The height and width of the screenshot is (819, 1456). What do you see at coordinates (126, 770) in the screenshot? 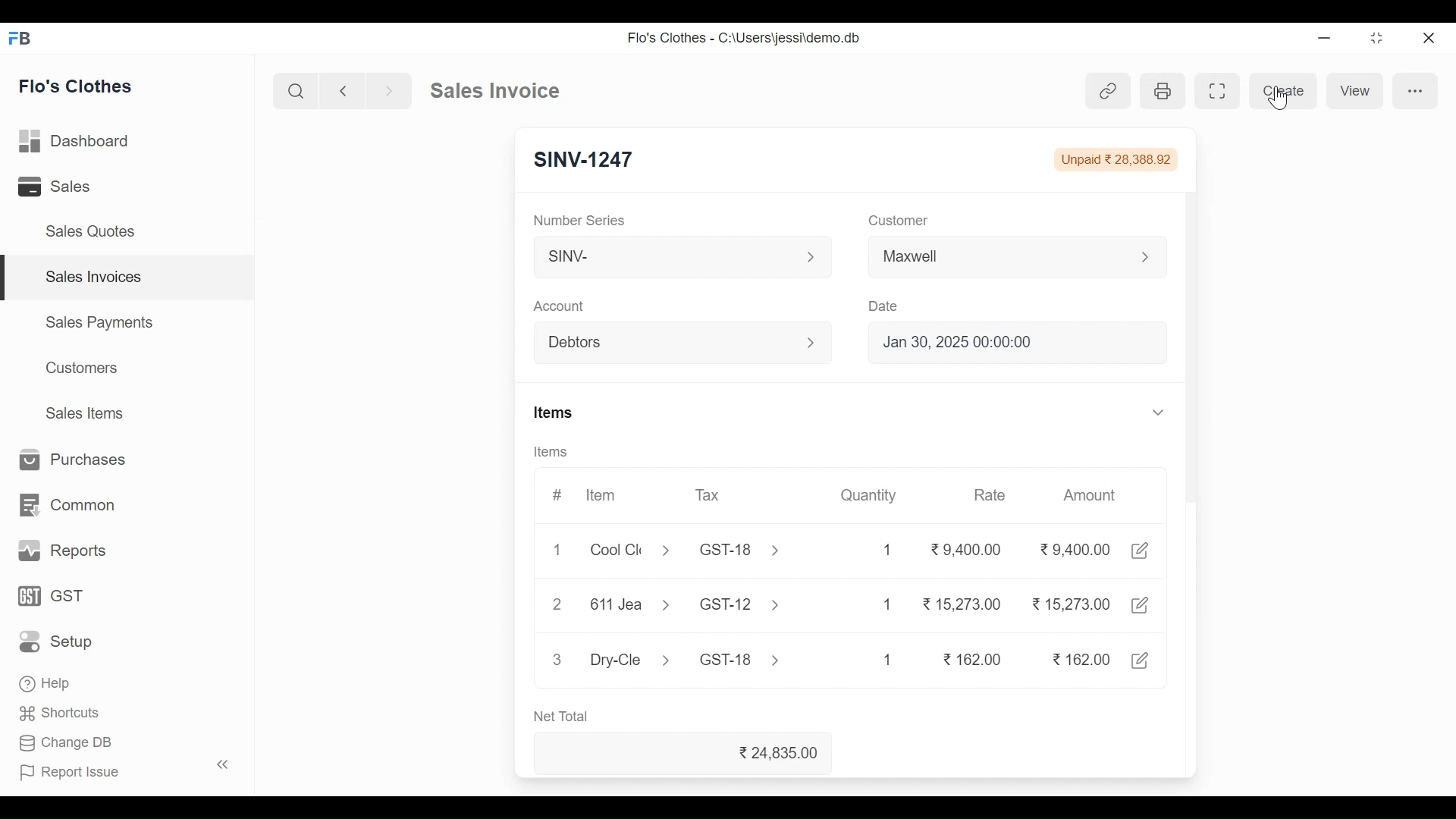
I see `| Report Issue` at bounding box center [126, 770].